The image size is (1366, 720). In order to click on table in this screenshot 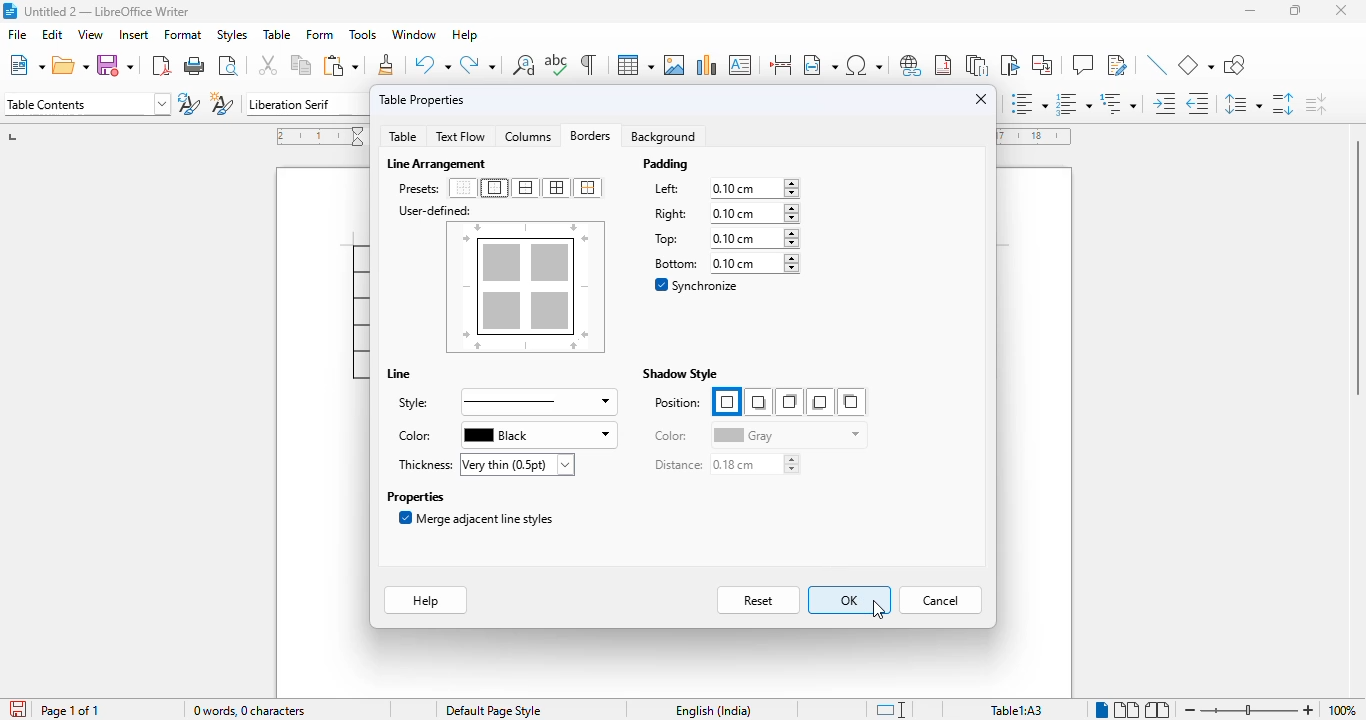, I will do `click(277, 34)`.